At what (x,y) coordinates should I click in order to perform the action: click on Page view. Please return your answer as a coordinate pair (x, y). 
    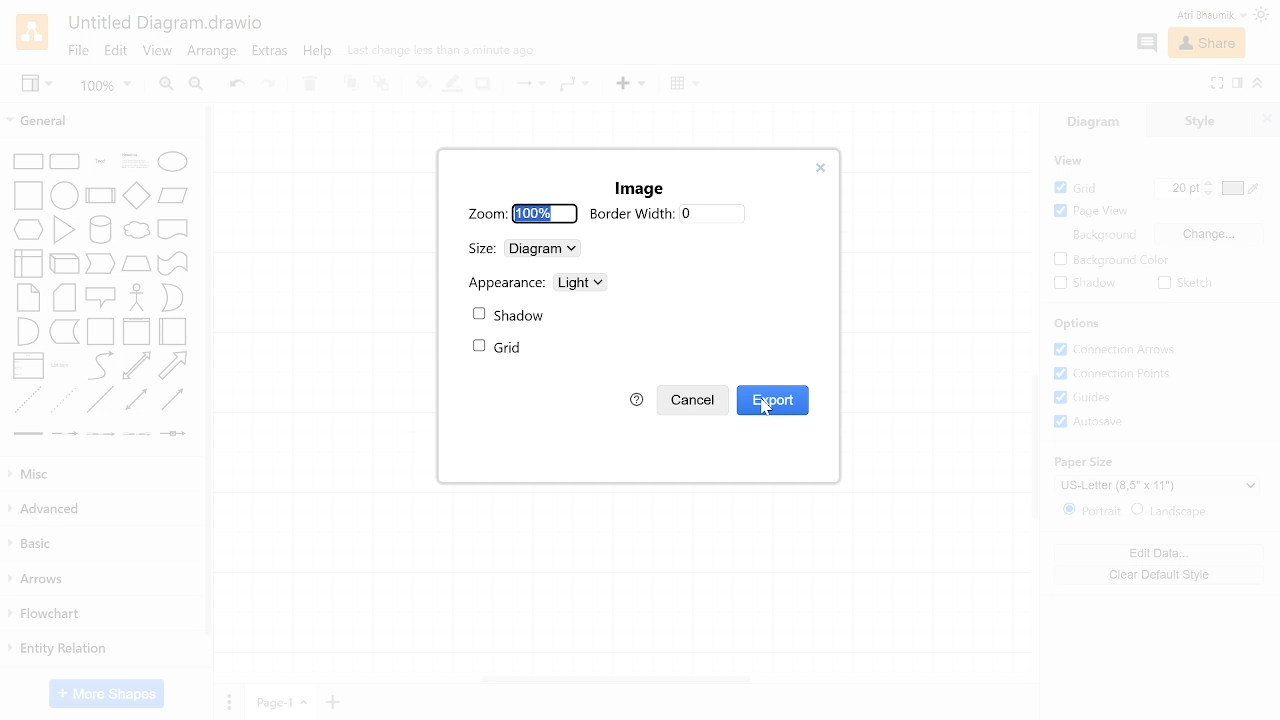
    Looking at the image, I should click on (1091, 211).